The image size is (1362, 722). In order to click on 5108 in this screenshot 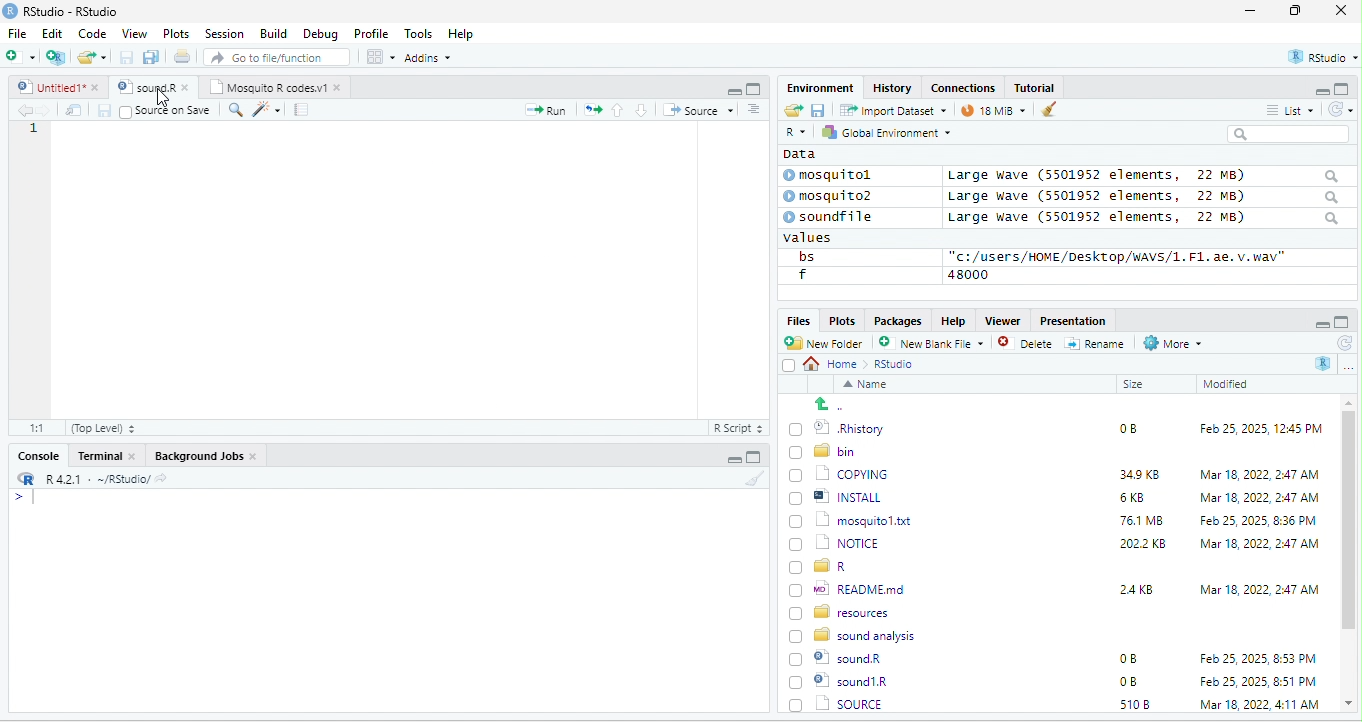, I will do `click(1130, 680)`.